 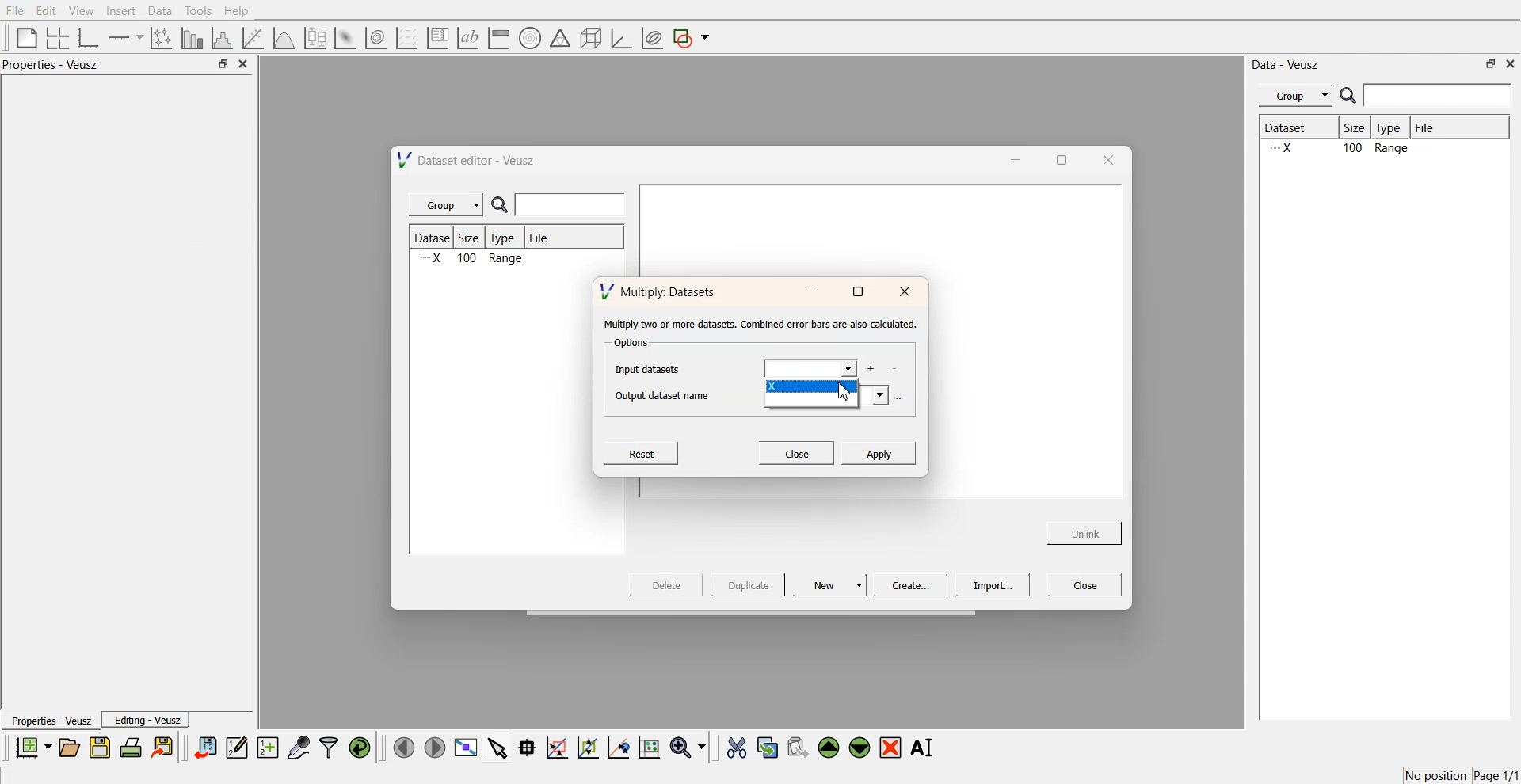 What do you see at coordinates (618, 747) in the screenshot?
I see `recenter the graph axes` at bounding box center [618, 747].